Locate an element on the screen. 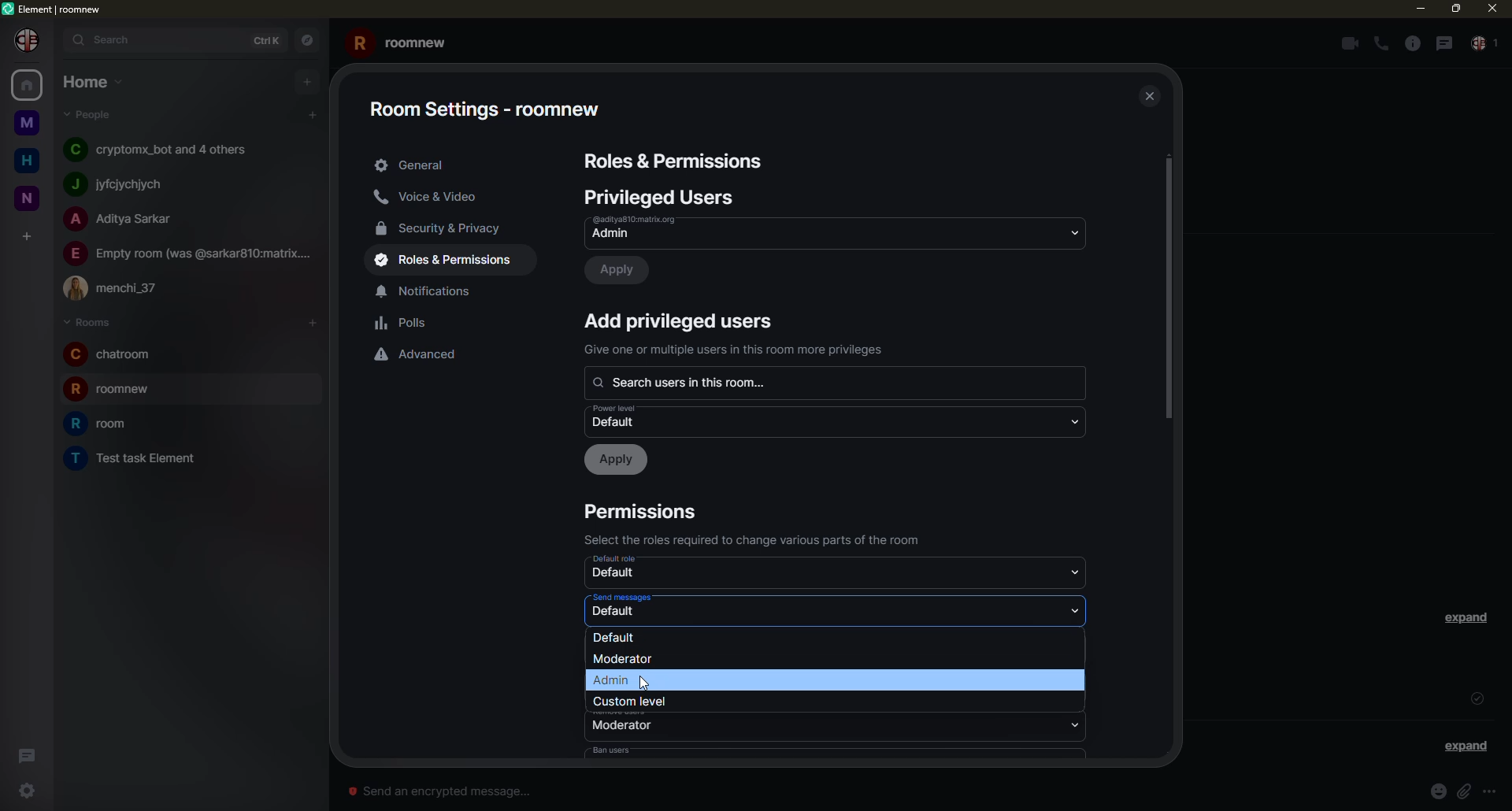 This screenshot has width=1512, height=811. close is located at coordinates (1490, 8).